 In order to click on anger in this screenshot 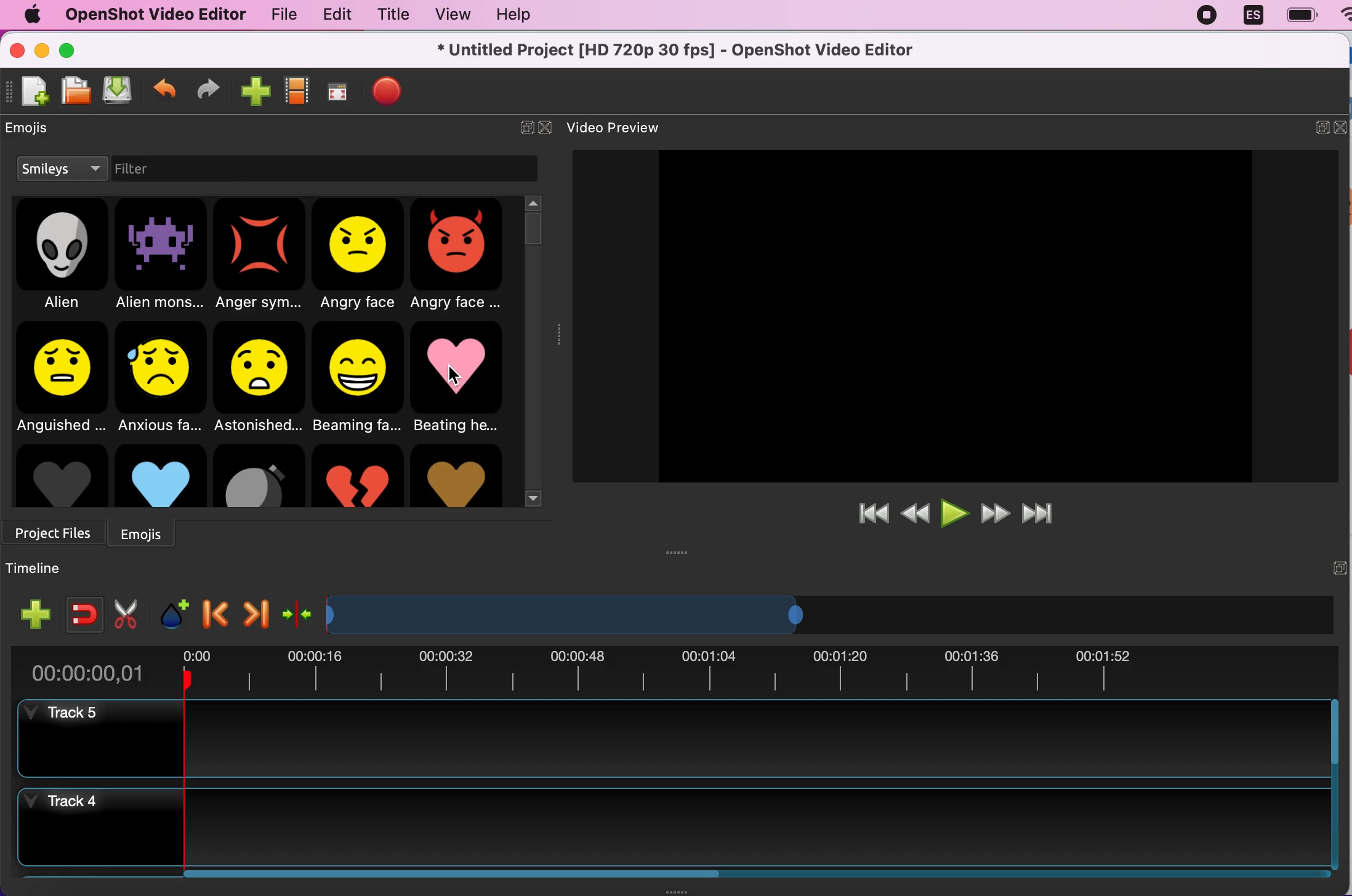, I will do `click(261, 256)`.